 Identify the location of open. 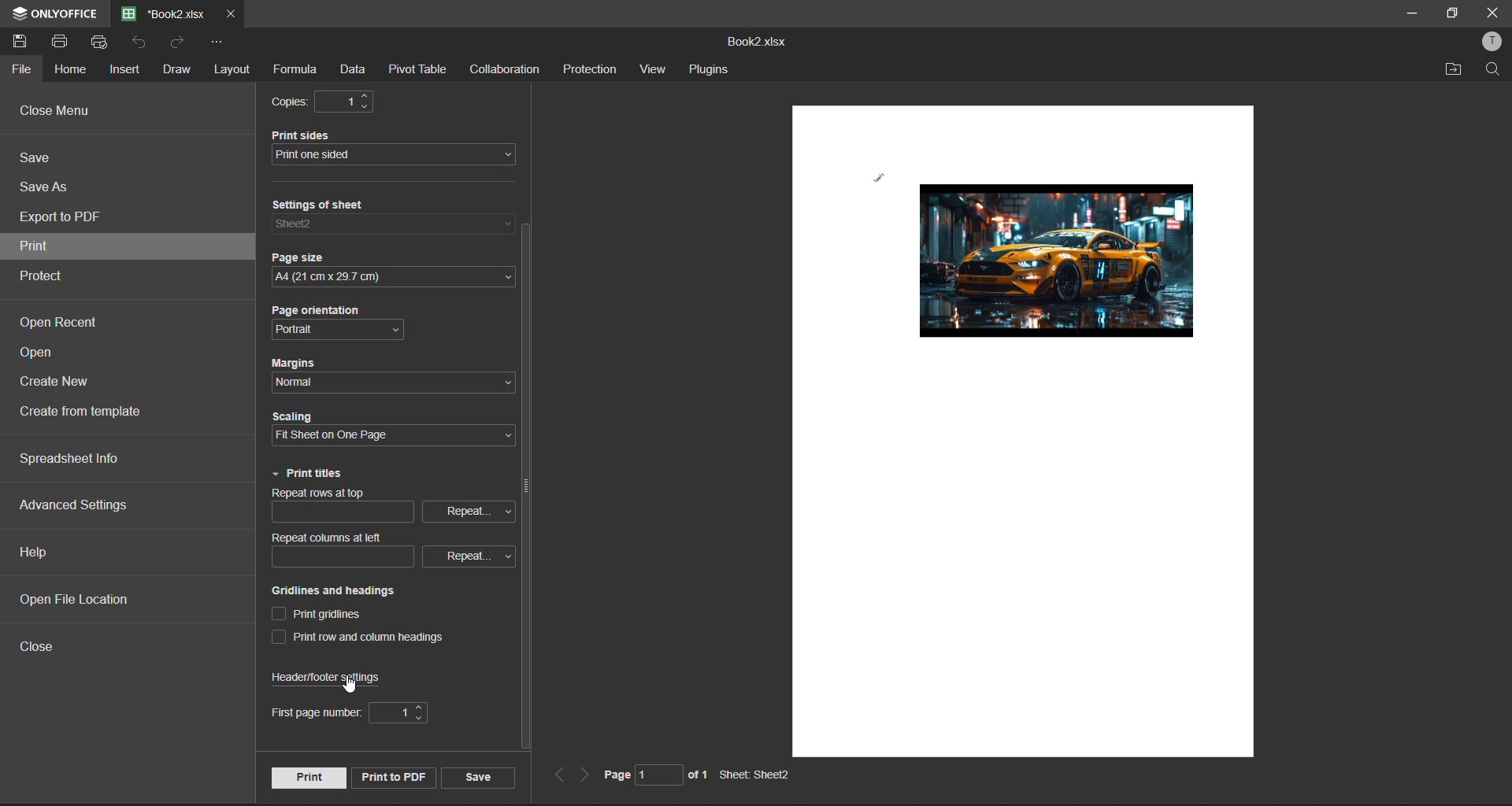
(46, 354).